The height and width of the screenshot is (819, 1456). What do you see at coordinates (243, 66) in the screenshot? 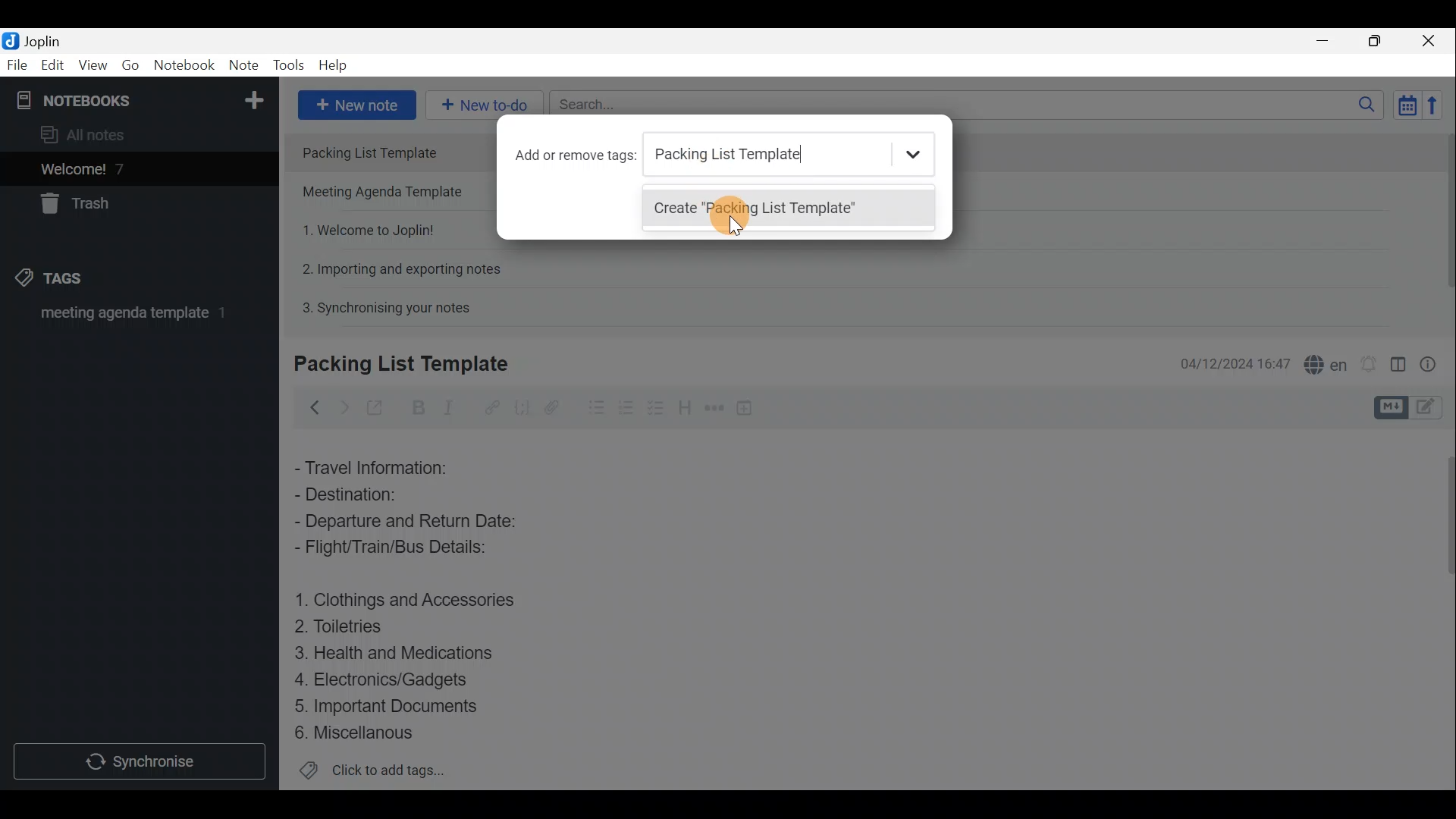
I see `Note` at bounding box center [243, 66].